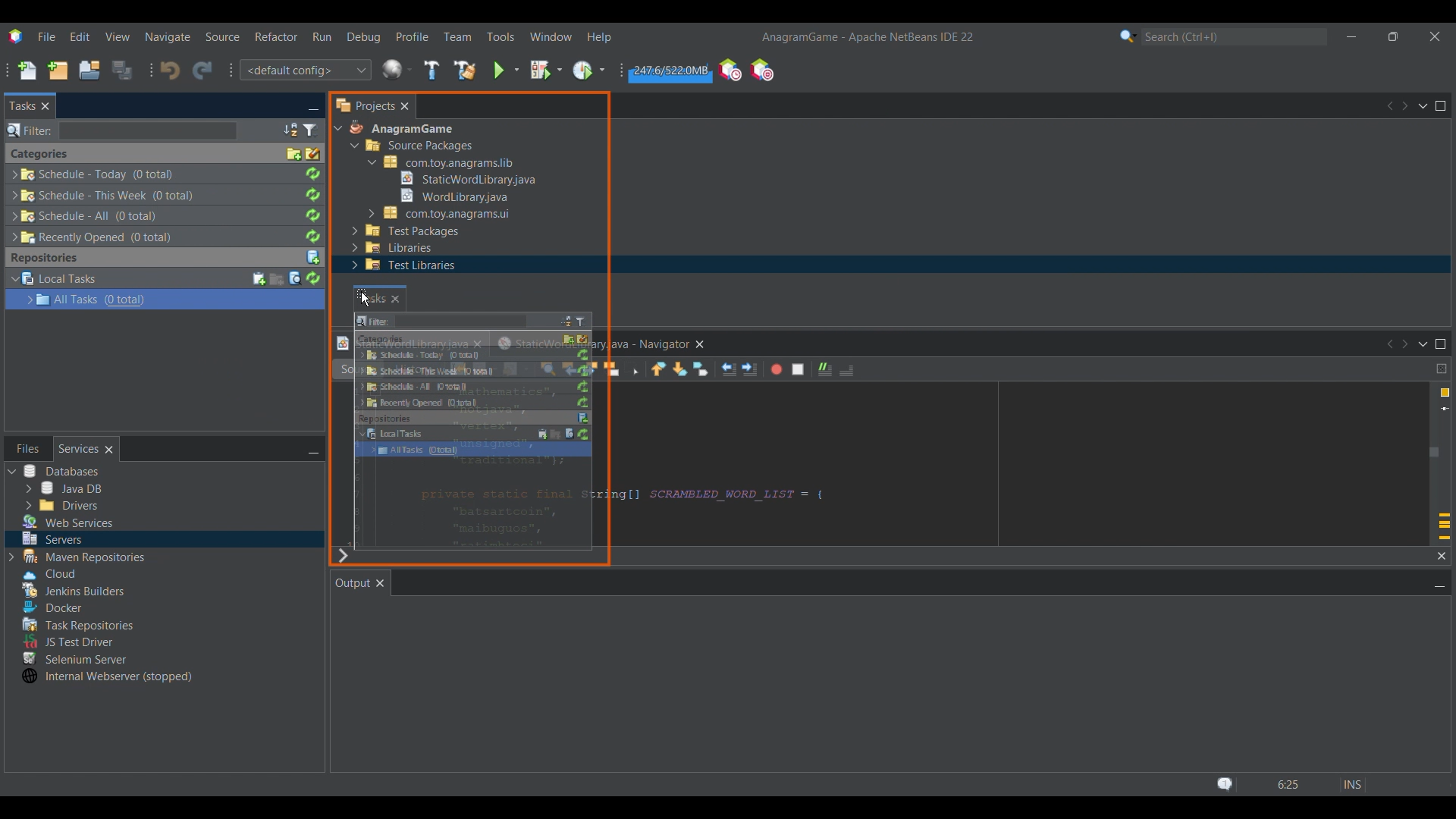  What do you see at coordinates (475, 369) in the screenshot?
I see `` at bounding box center [475, 369].